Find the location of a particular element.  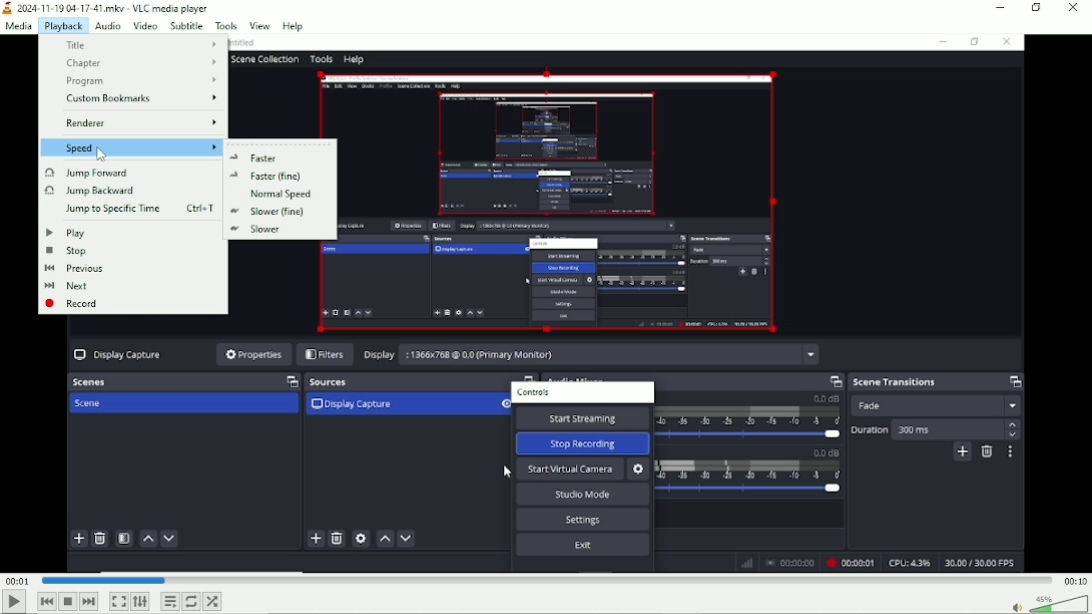

faster (fine) is located at coordinates (278, 176).